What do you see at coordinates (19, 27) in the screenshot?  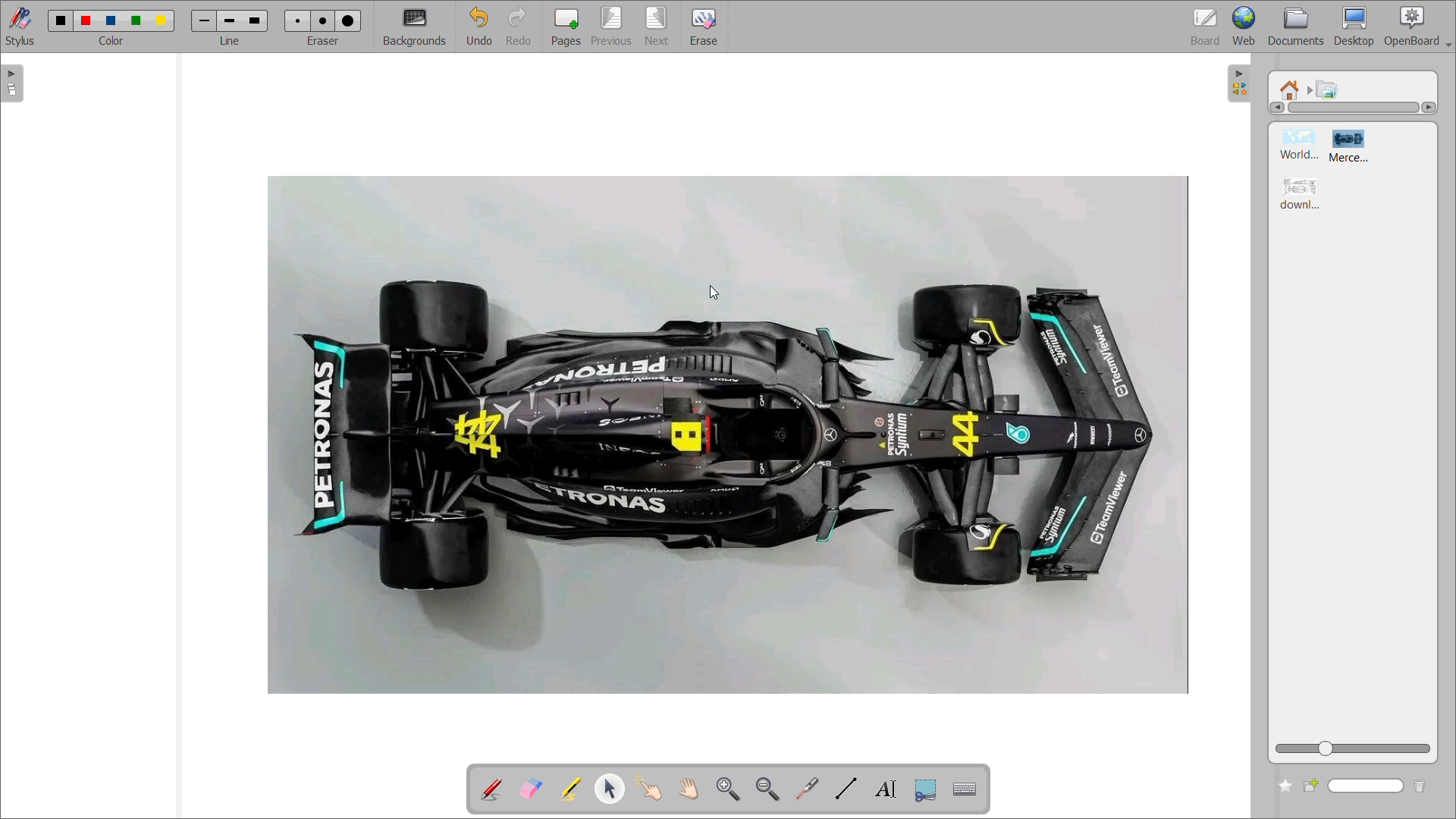 I see `stylus` at bounding box center [19, 27].